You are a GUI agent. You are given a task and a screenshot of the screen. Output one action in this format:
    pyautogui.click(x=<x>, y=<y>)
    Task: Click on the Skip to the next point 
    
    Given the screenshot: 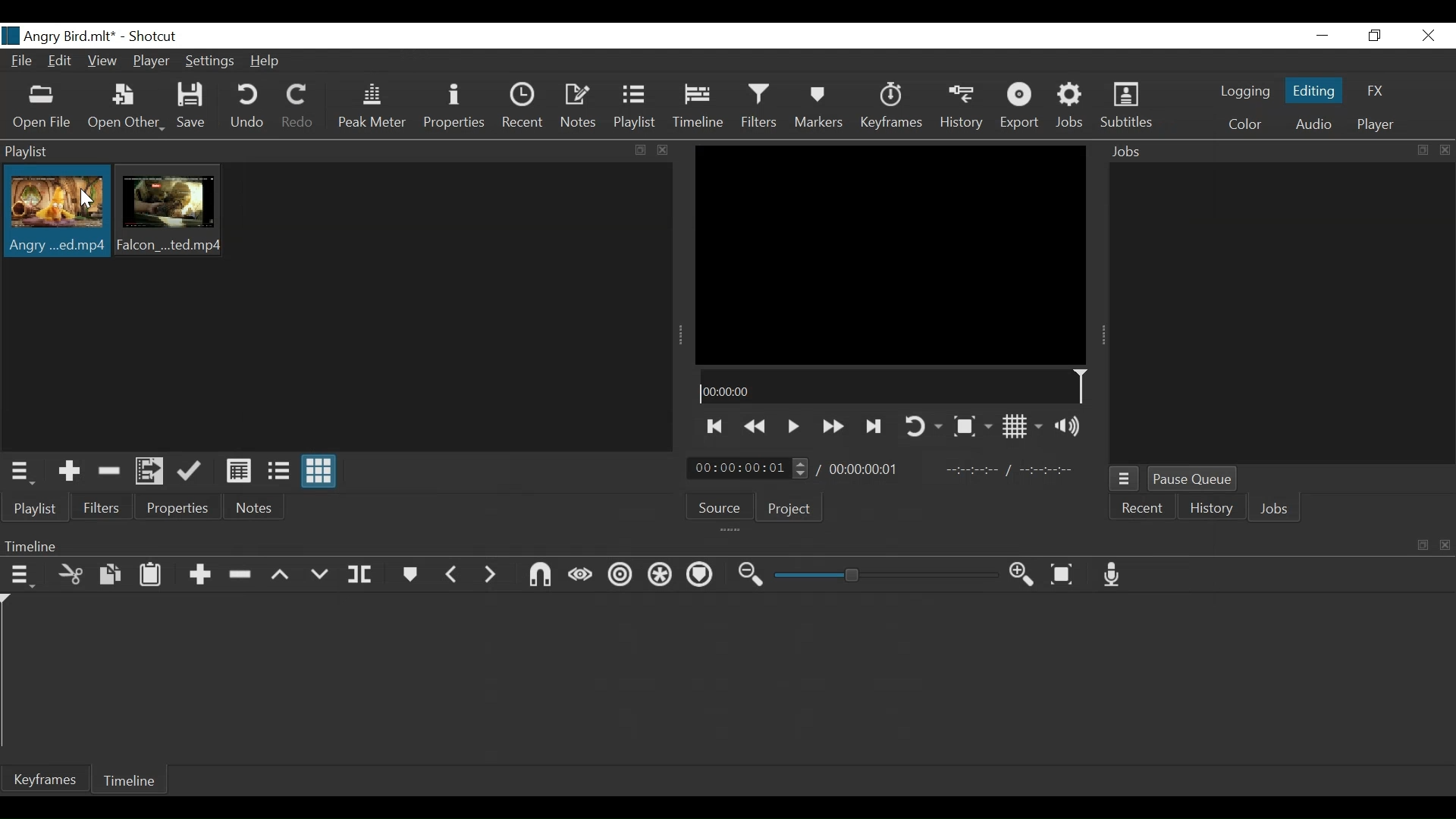 What is the action you would take?
    pyautogui.click(x=876, y=428)
    